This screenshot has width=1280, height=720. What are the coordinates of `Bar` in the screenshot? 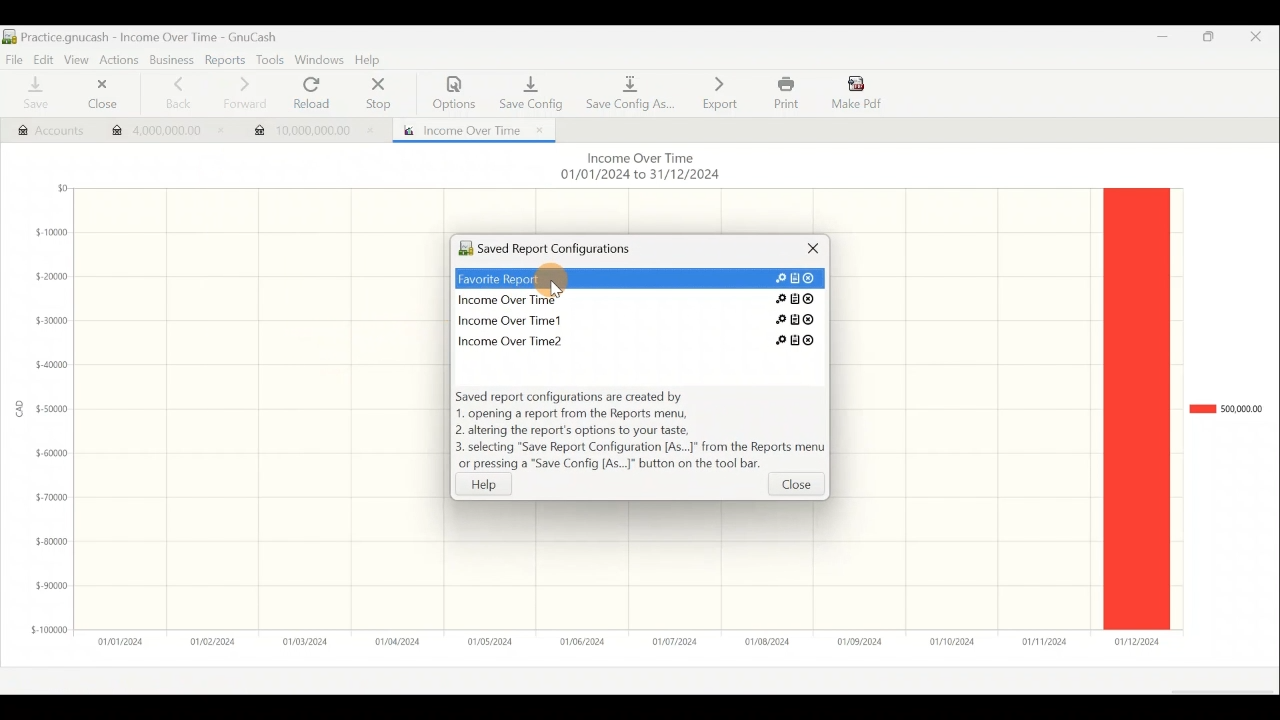 It's located at (1136, 408).